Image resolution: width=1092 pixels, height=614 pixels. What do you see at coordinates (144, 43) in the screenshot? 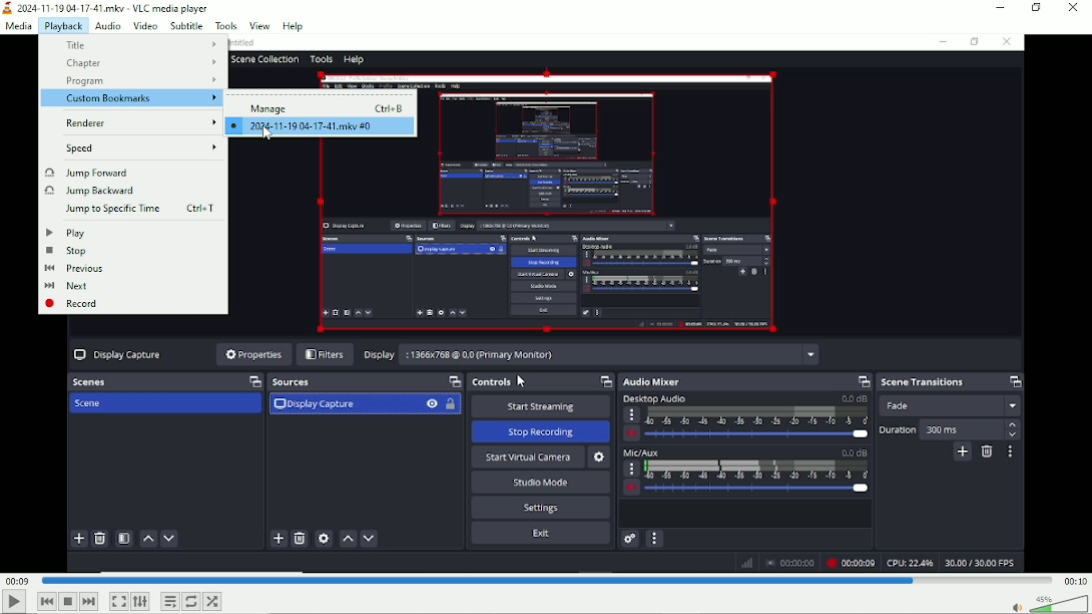
I see `Title` at bounding box center [144, 43].